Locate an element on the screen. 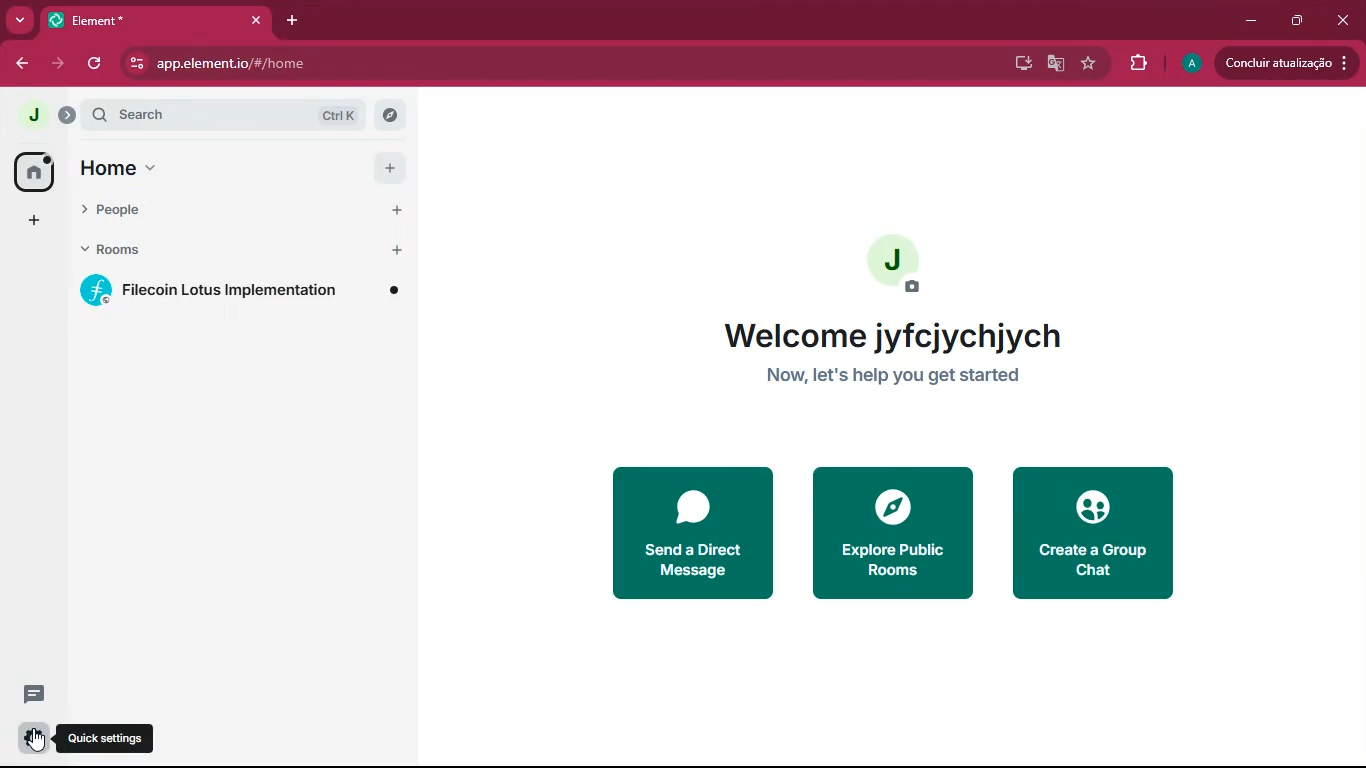 This screenshot has height=768, width=1366. add button is located at coordinates (388, 166).